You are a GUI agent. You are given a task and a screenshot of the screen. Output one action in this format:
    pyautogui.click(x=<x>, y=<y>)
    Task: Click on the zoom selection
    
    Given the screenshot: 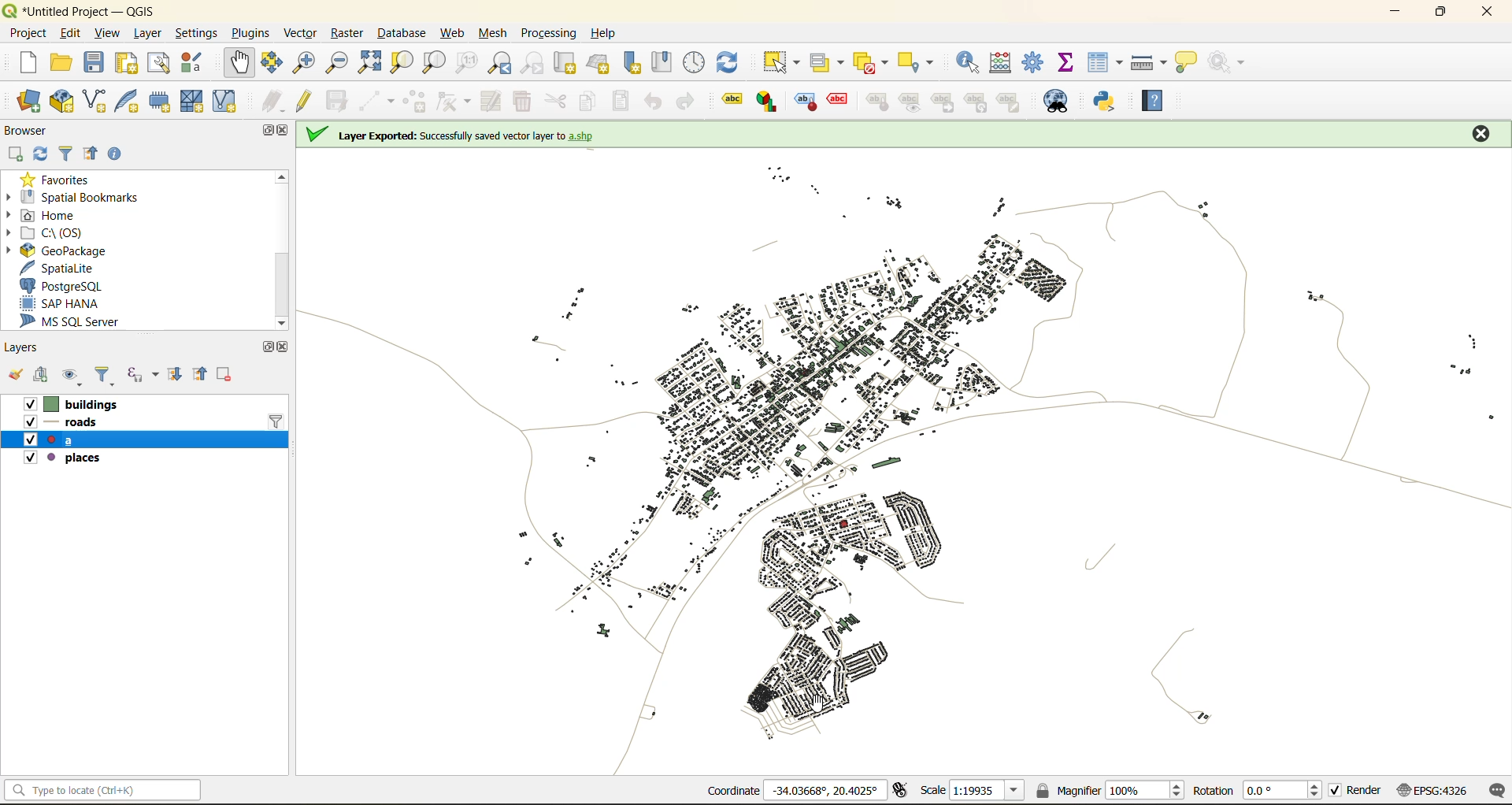 What is the action you would take?
    pyautogui.click(x=400, y=63)
    